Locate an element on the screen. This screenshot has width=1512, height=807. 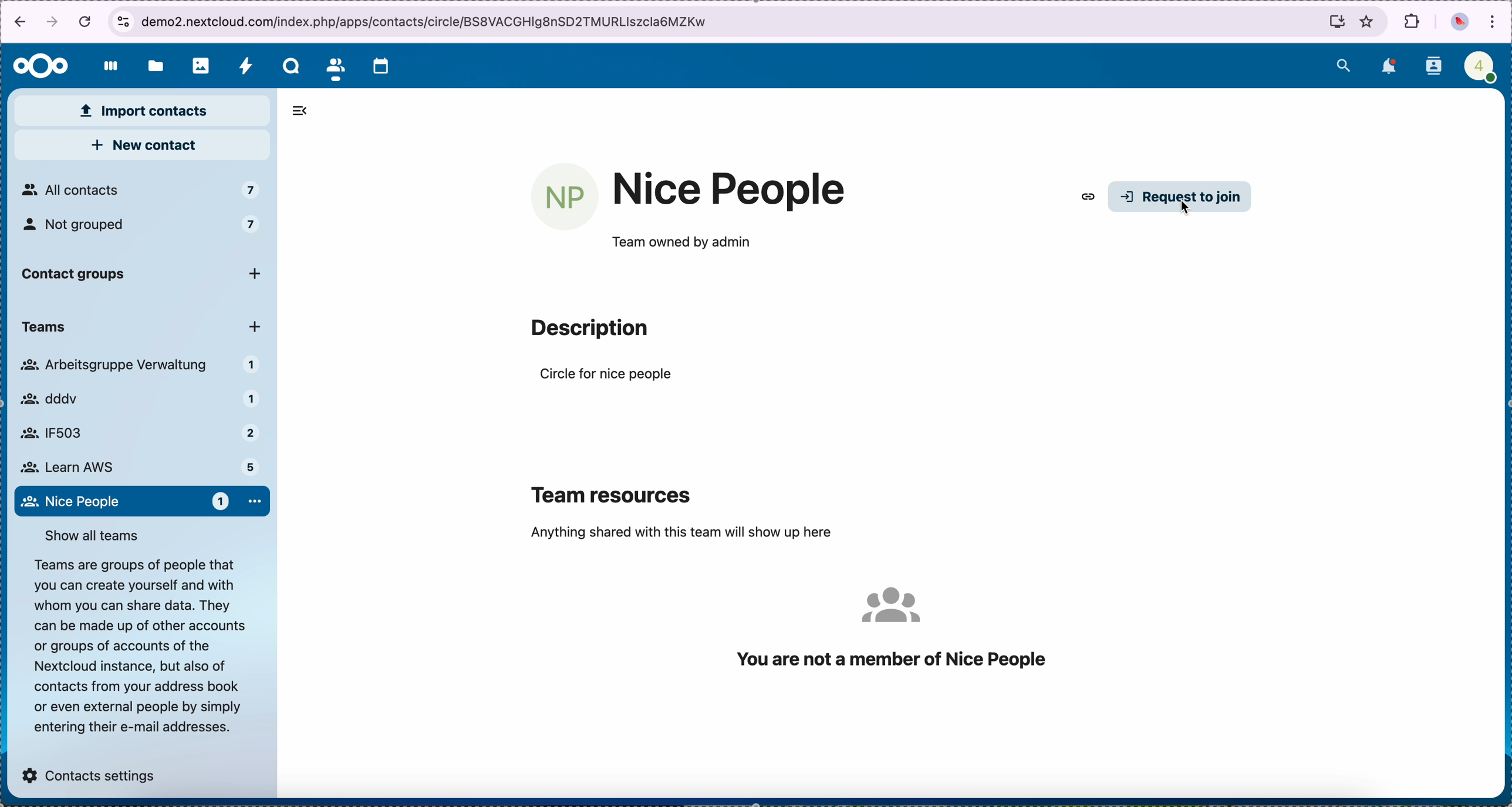
extensions is located at coordinates (1411, 23).